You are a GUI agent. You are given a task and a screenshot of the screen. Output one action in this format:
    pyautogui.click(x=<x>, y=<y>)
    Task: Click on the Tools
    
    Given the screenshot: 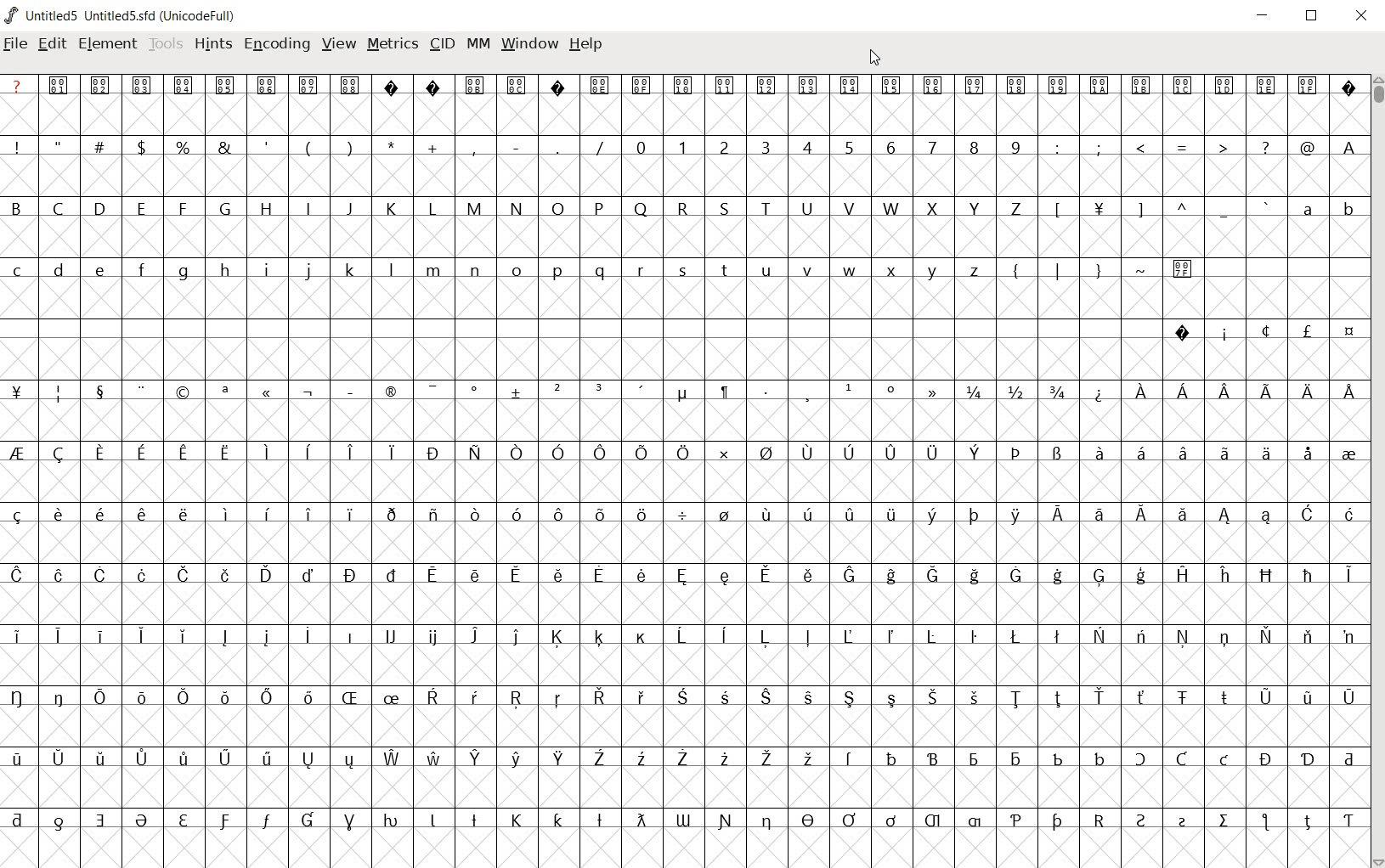 What is the action you would take?
    pyautogui.click(x=166, y=45)
    